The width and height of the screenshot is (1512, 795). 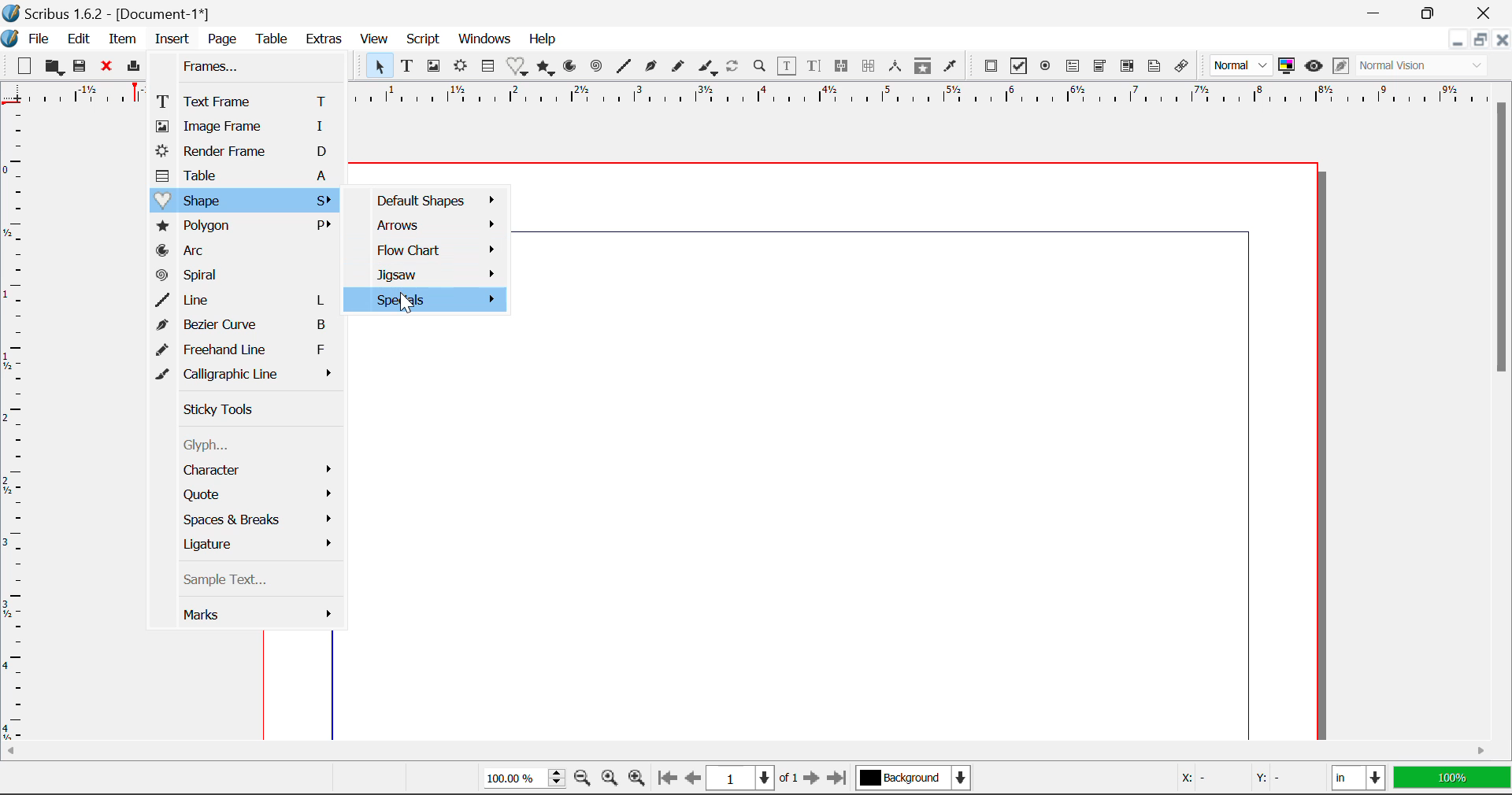 I want to click on Item, so click(x=123, y=40).